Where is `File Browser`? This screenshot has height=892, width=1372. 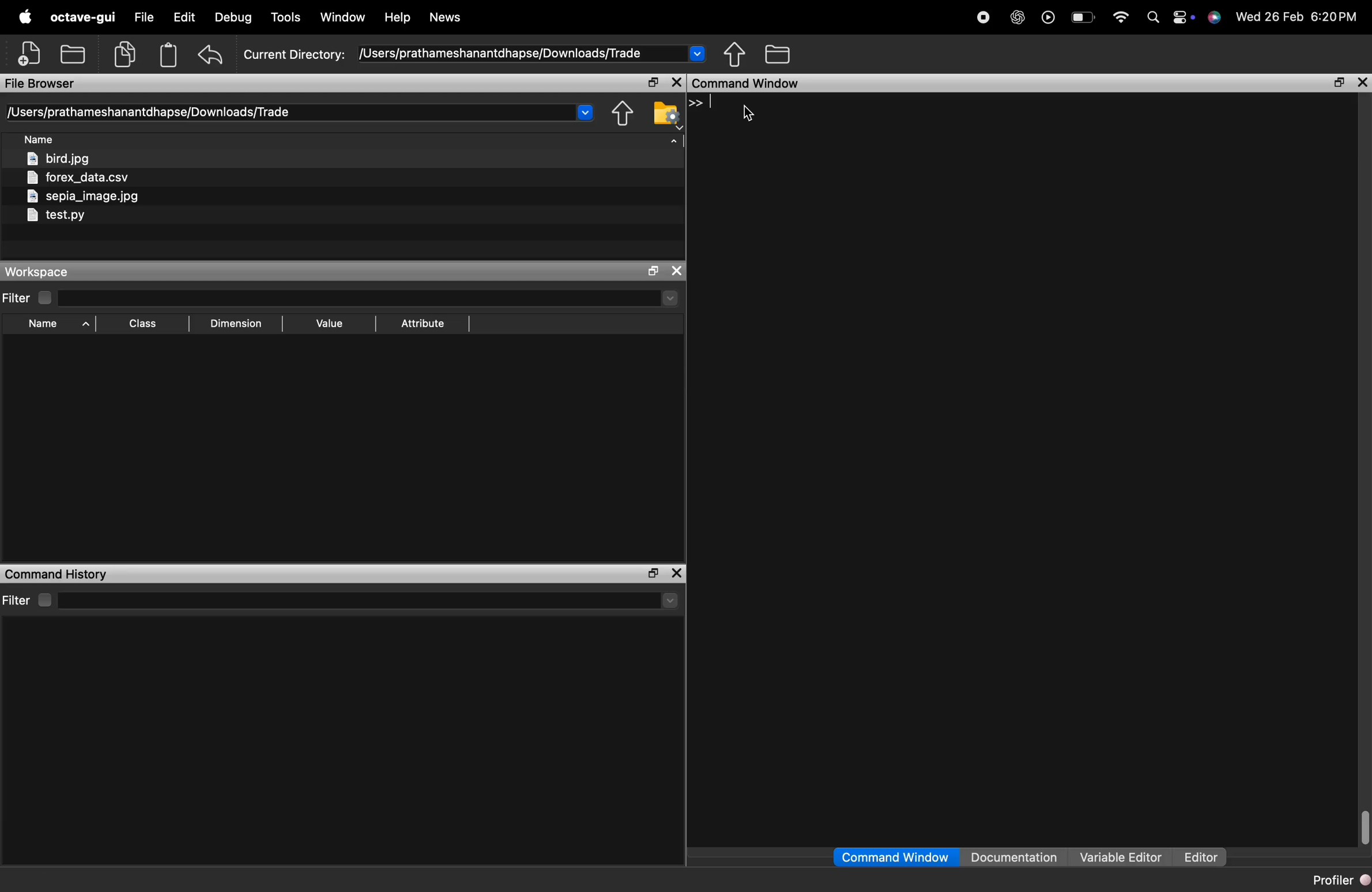
File Browser is located at coordinates (41, 84).